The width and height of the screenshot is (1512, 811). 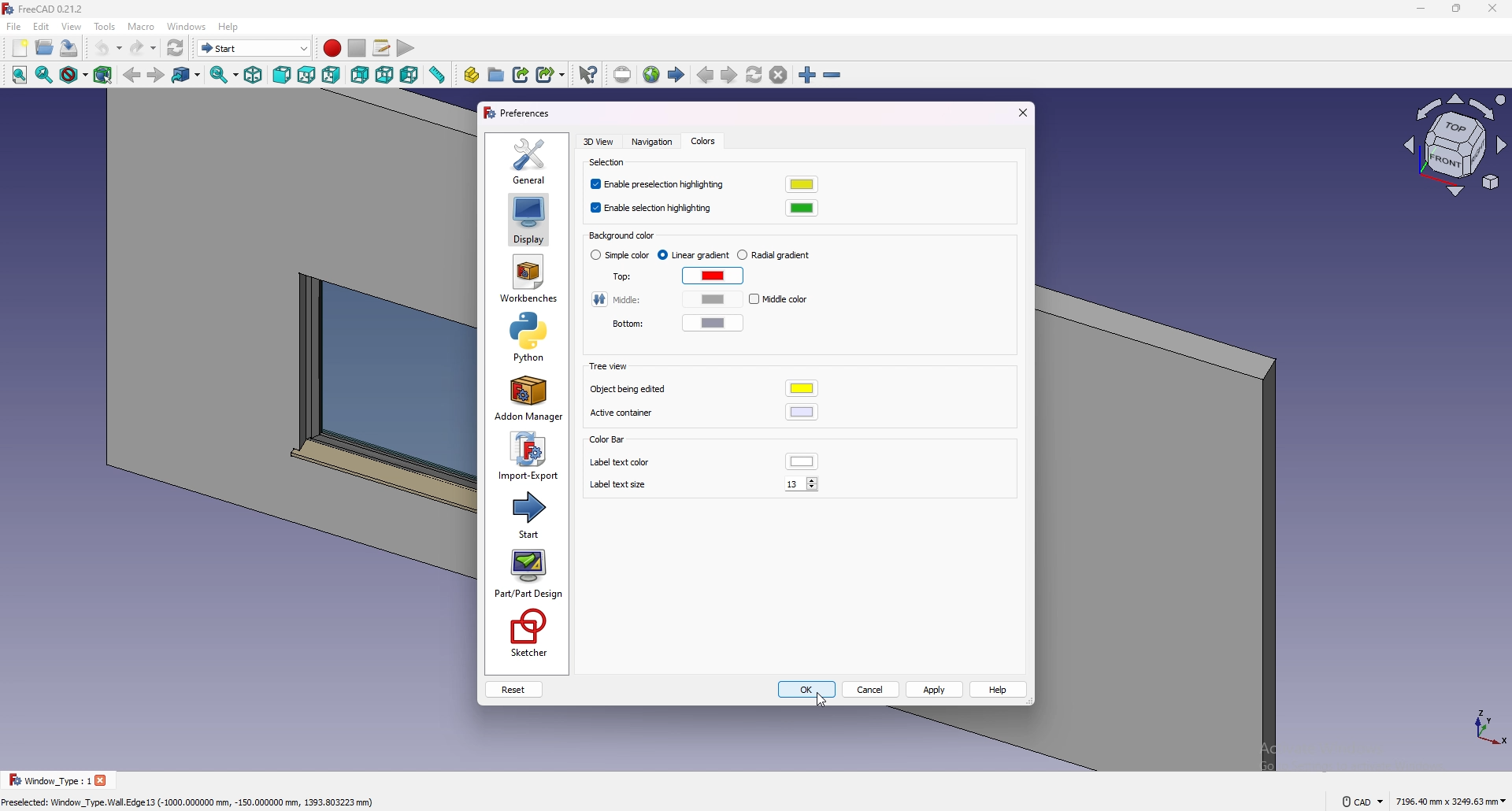 What do you see at coordinates (332, 48) in the screenshot?
I see `record macros` at bounding box center [332, 48].